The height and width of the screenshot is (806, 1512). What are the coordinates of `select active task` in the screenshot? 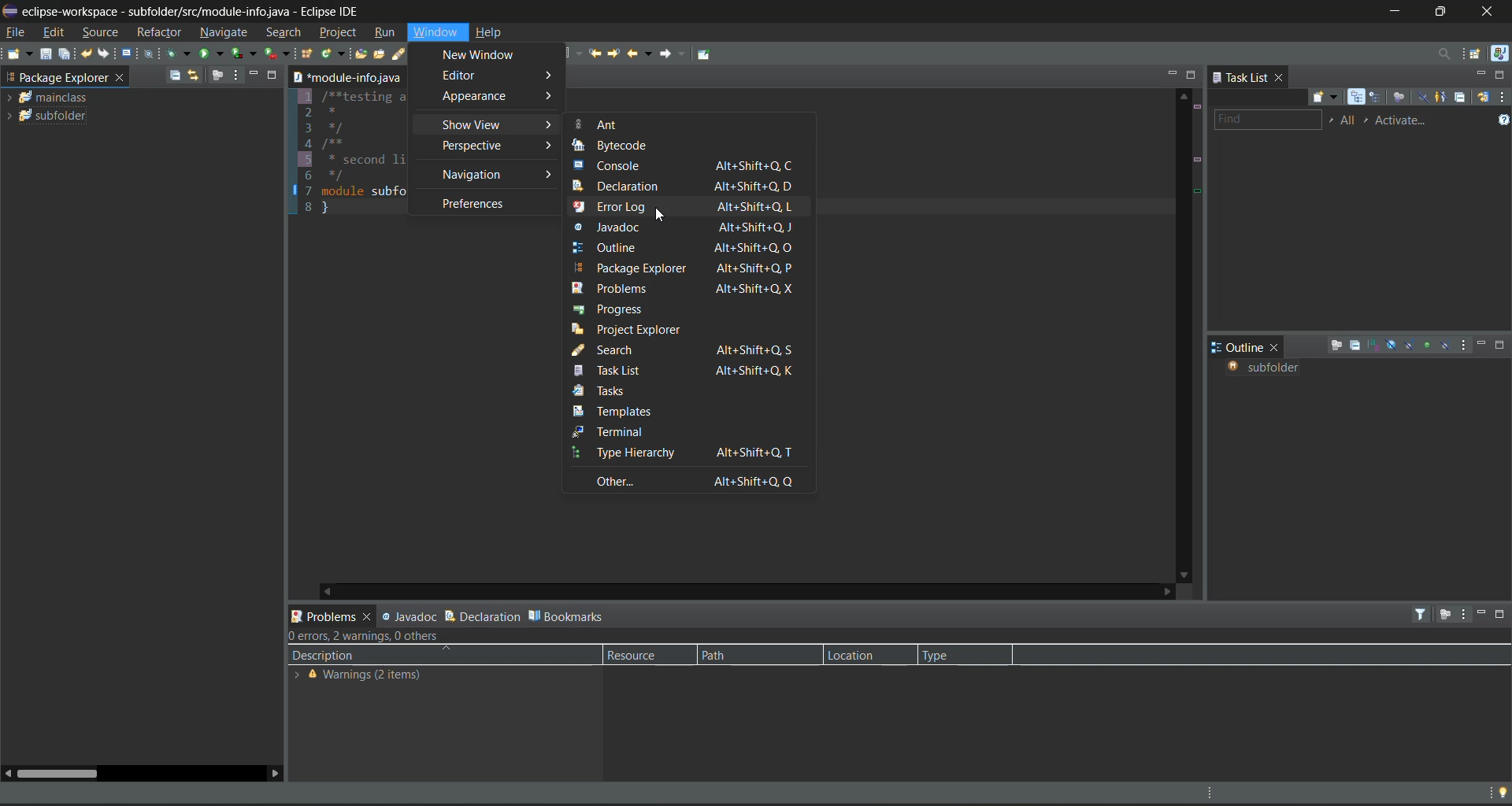 It's located at (1369, 121).